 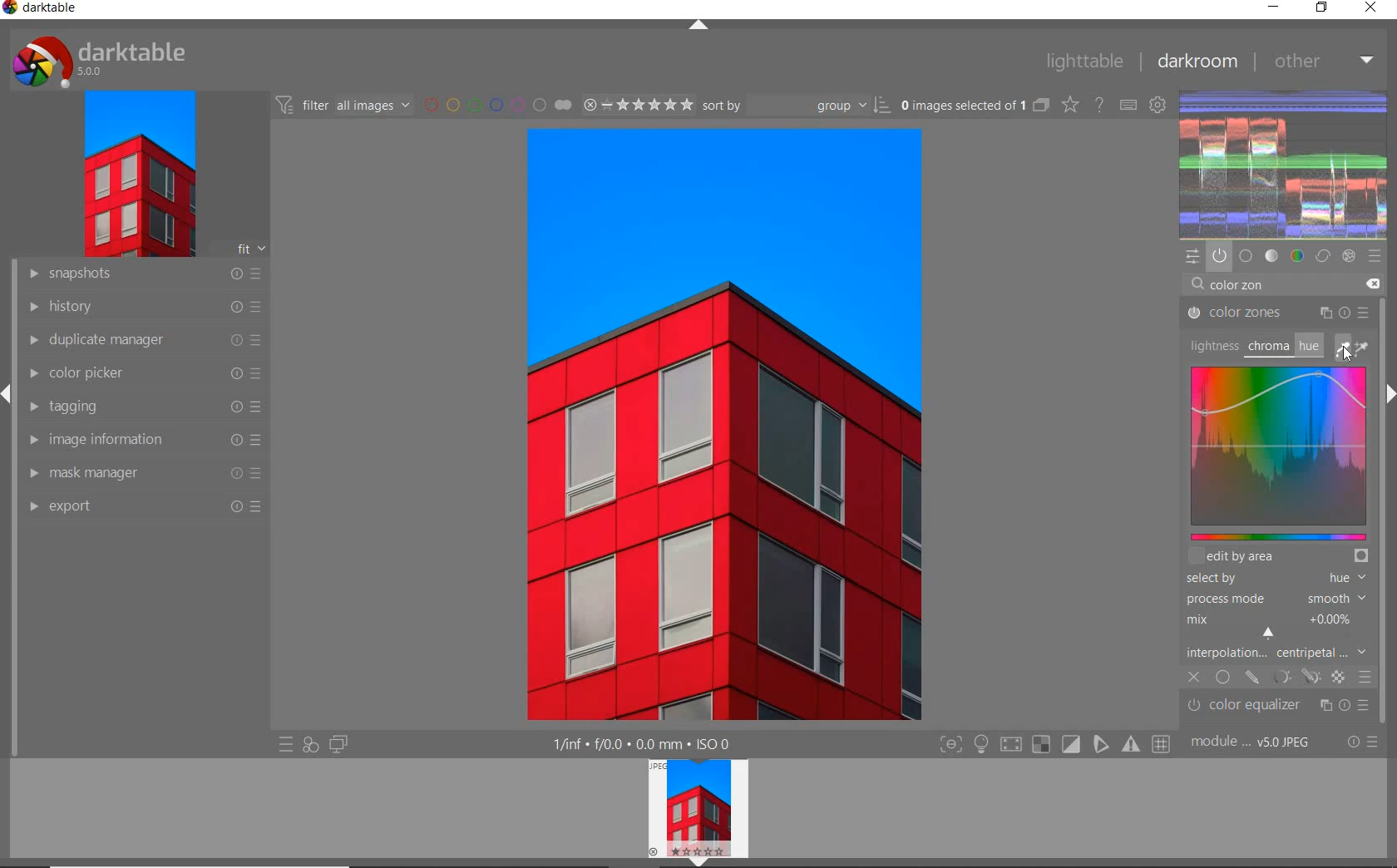 I want to click on focus mask, so click(x=1128, y=745).